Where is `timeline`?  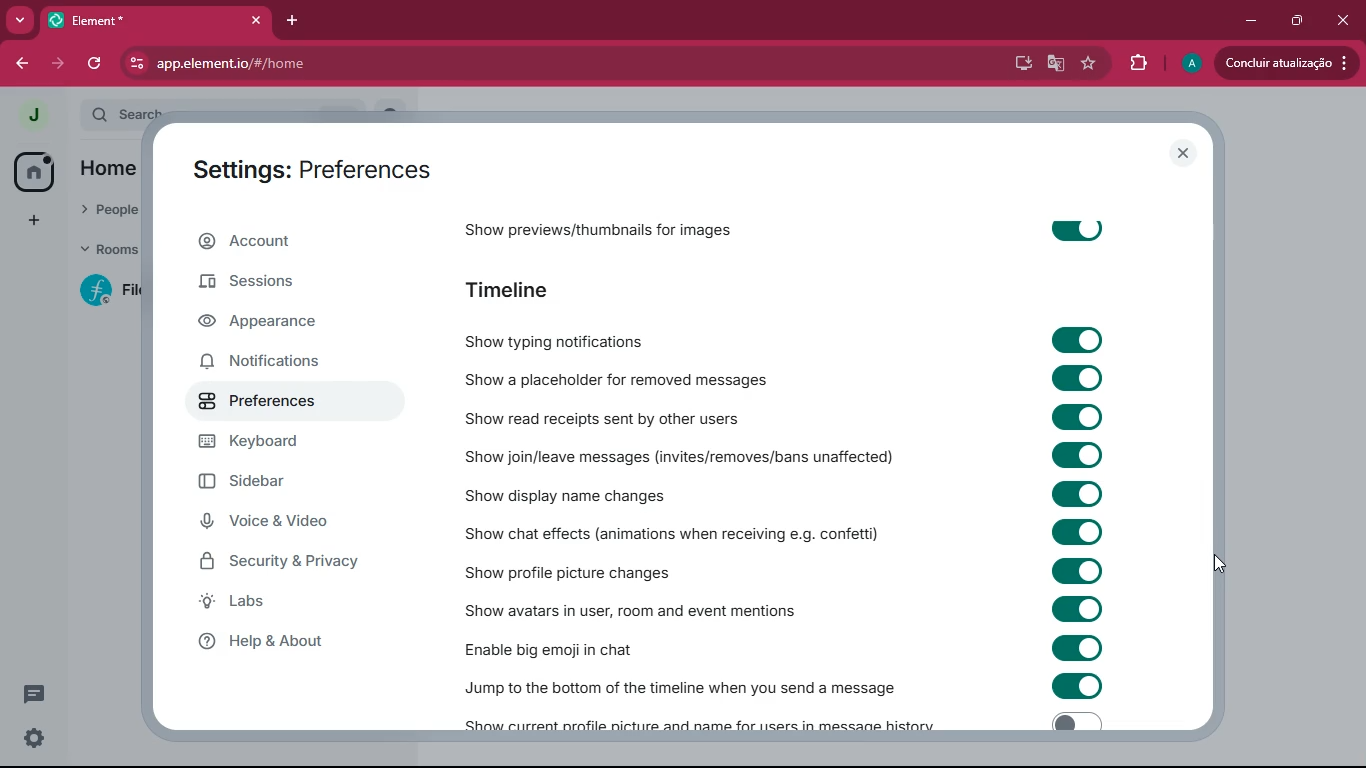
timeline is located at coordinates (519, 287).